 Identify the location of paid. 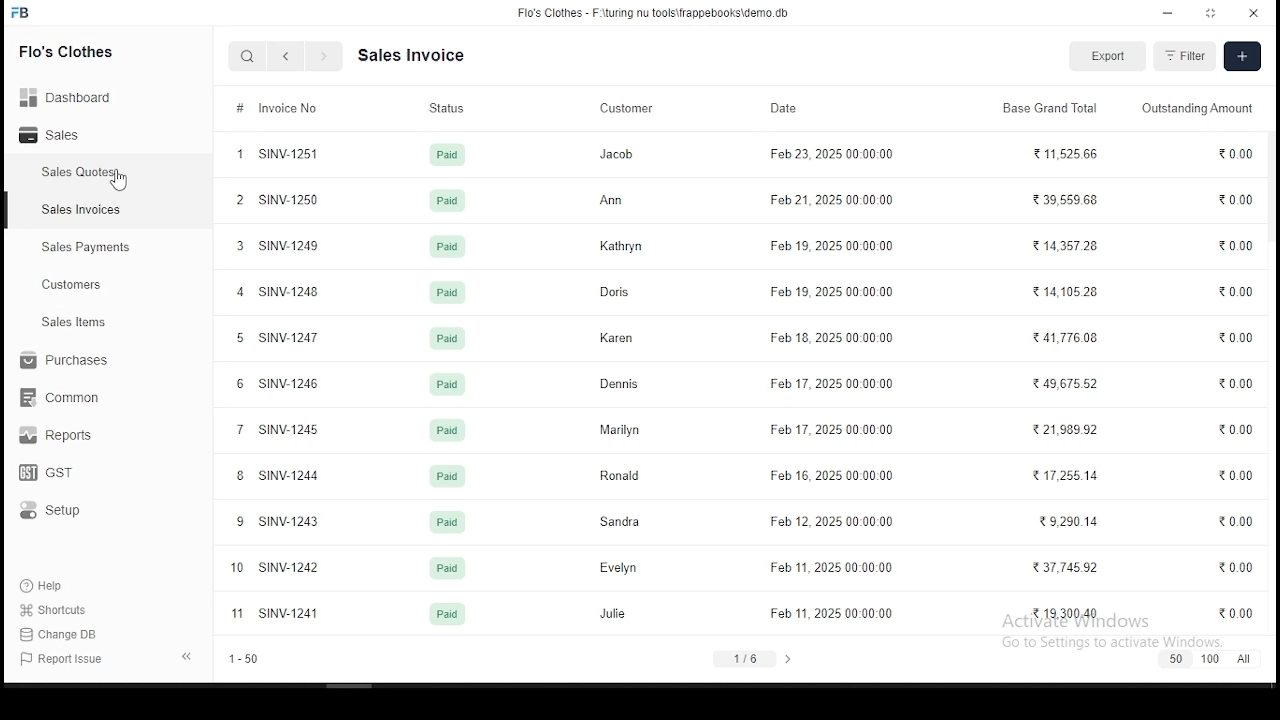
(446, 338).